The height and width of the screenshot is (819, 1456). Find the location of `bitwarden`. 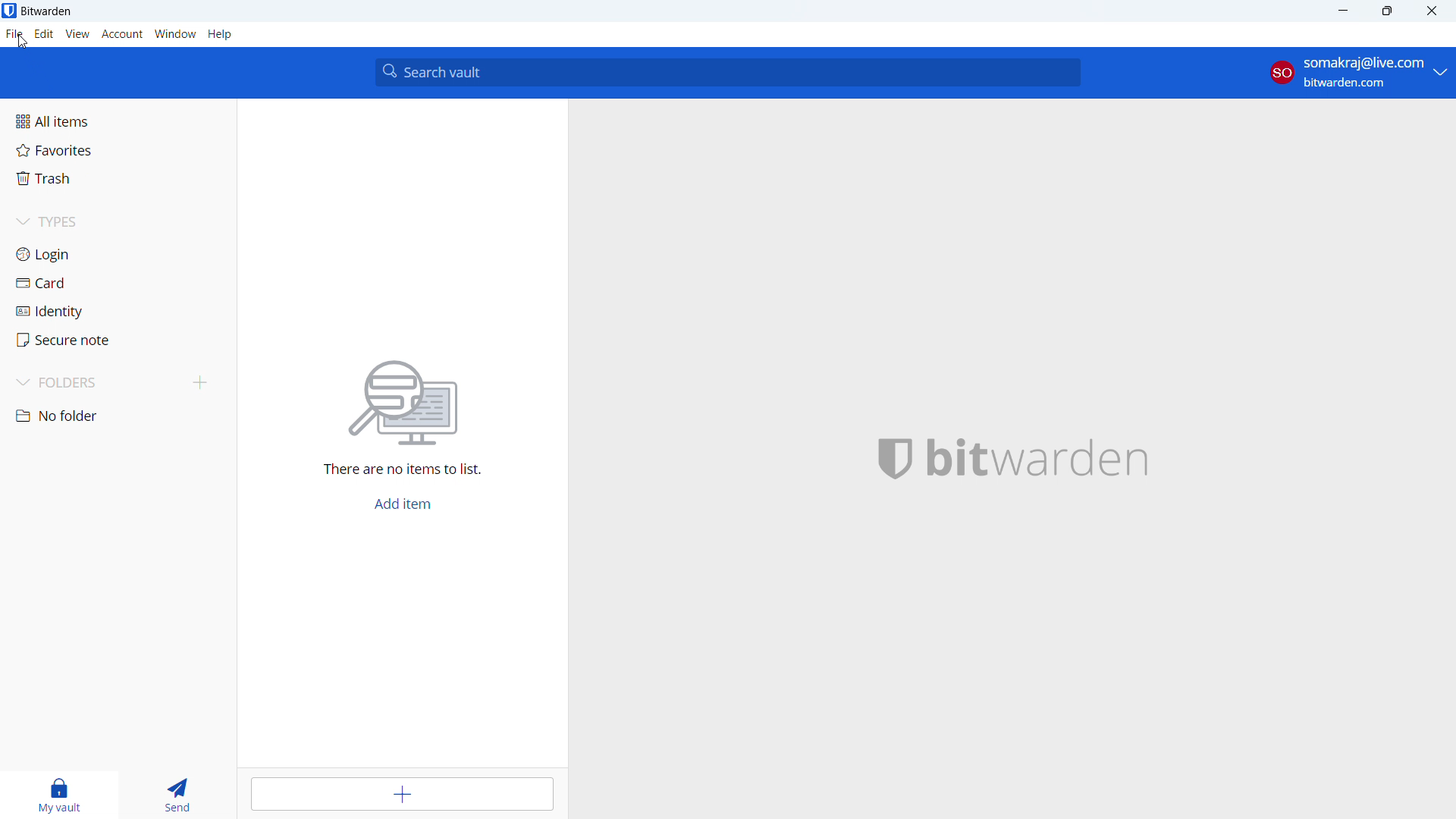

bitwarden is located at coordinates (1049, 455).